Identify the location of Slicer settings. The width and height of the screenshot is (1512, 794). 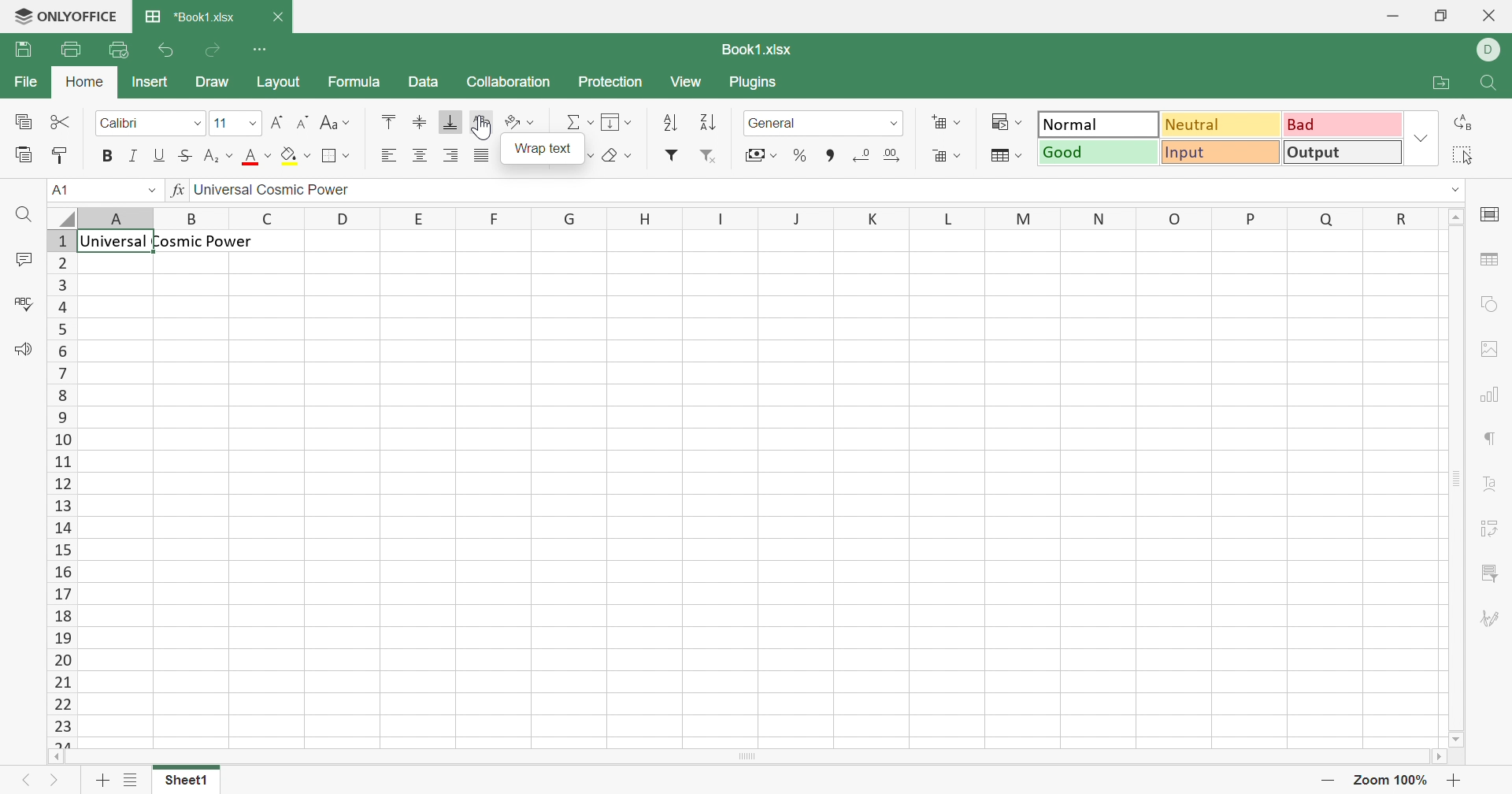
(1490, 572).